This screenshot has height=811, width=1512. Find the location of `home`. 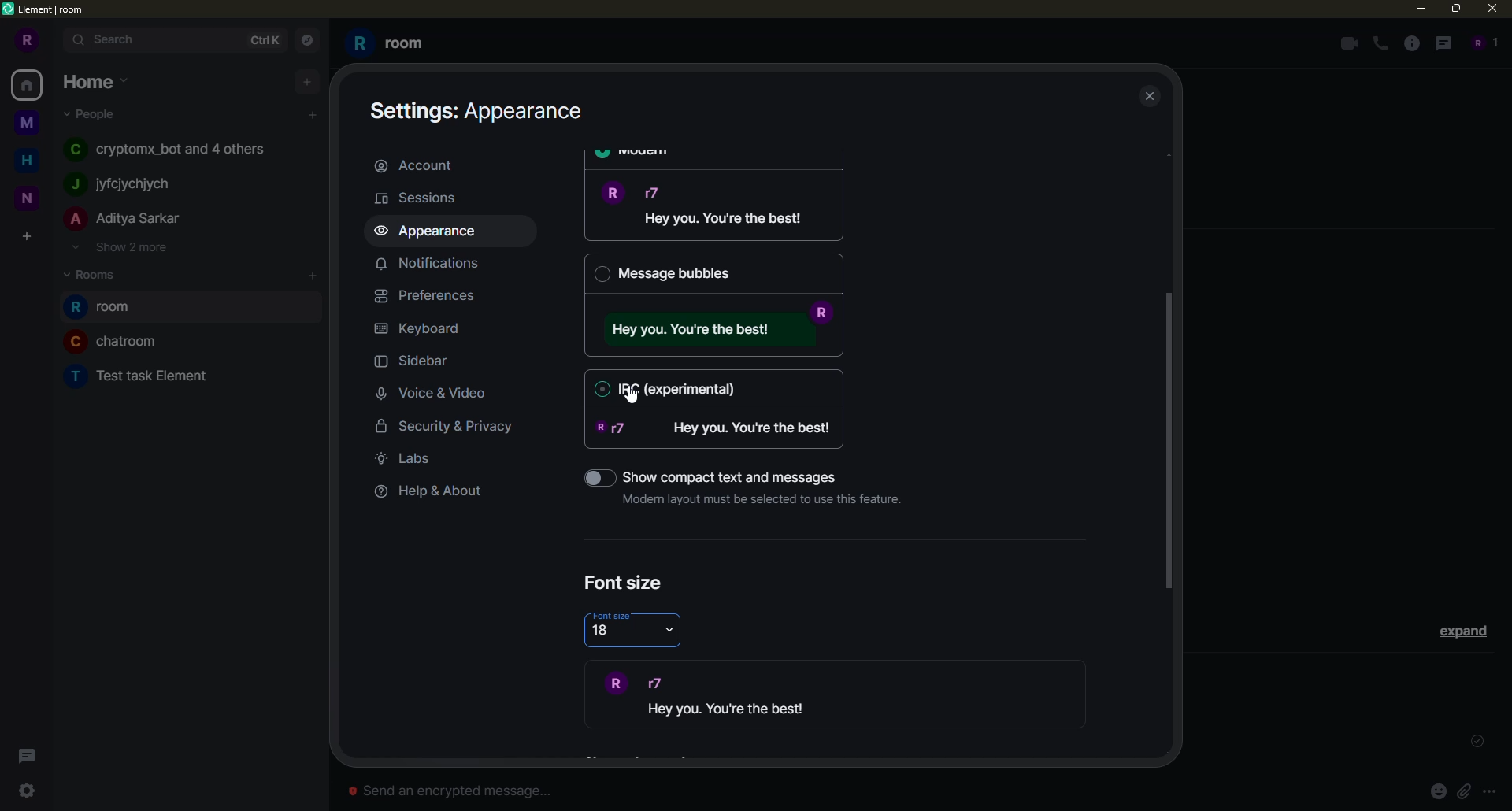

home is located at coordinates (30, 84).